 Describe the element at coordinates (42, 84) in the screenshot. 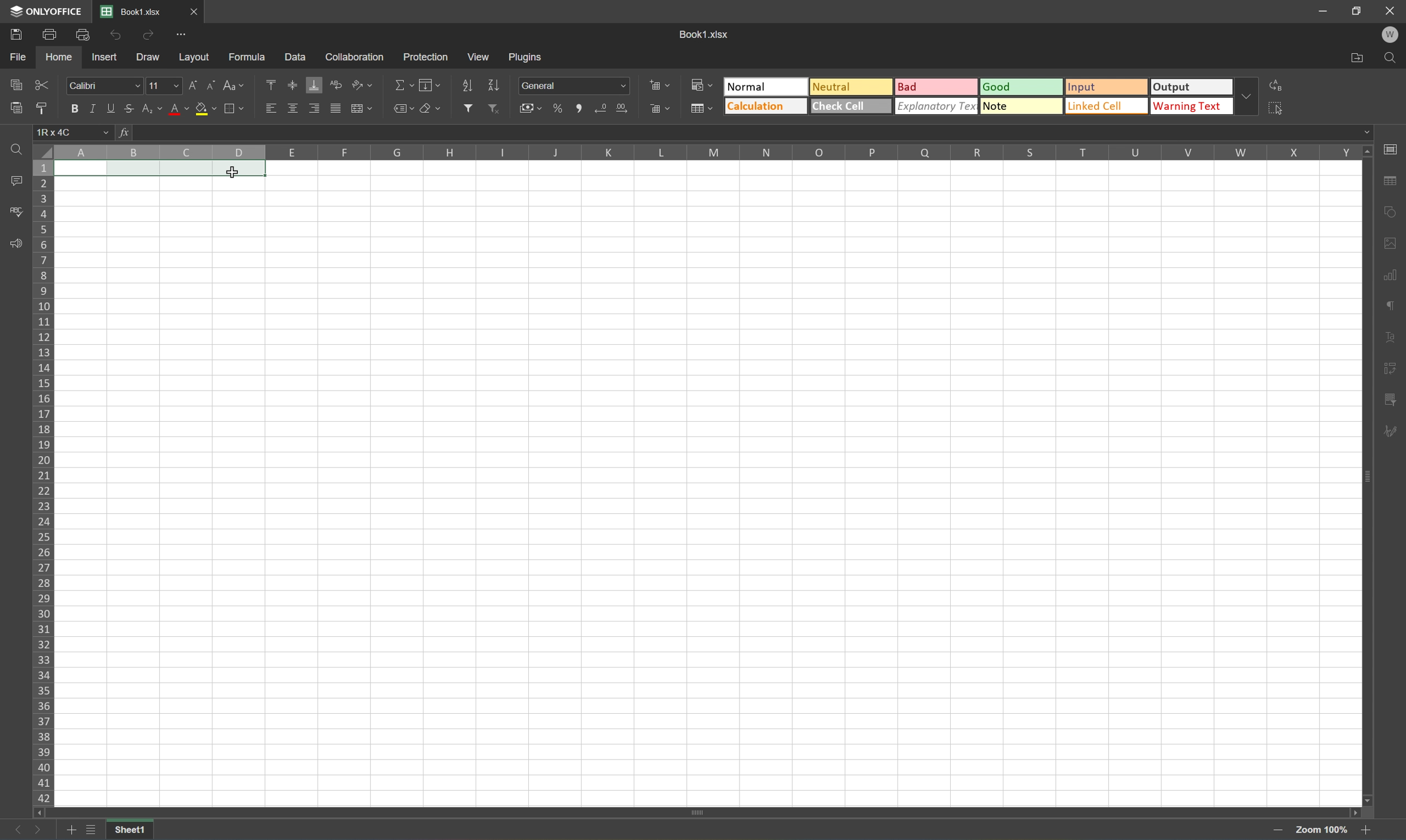

I see `Cut` at that location.